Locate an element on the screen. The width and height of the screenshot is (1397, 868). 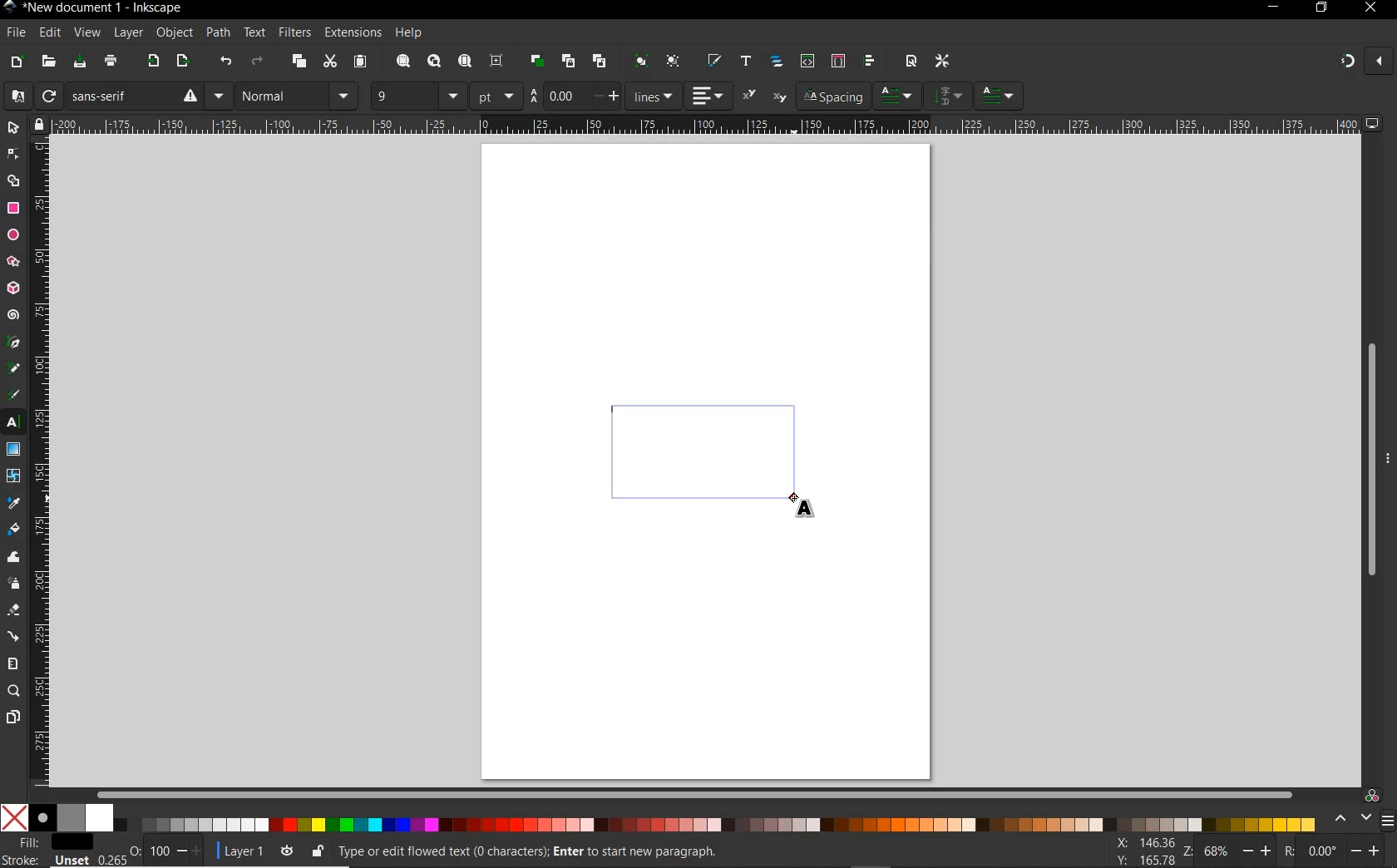
+ is located at coordinates (616, 95).